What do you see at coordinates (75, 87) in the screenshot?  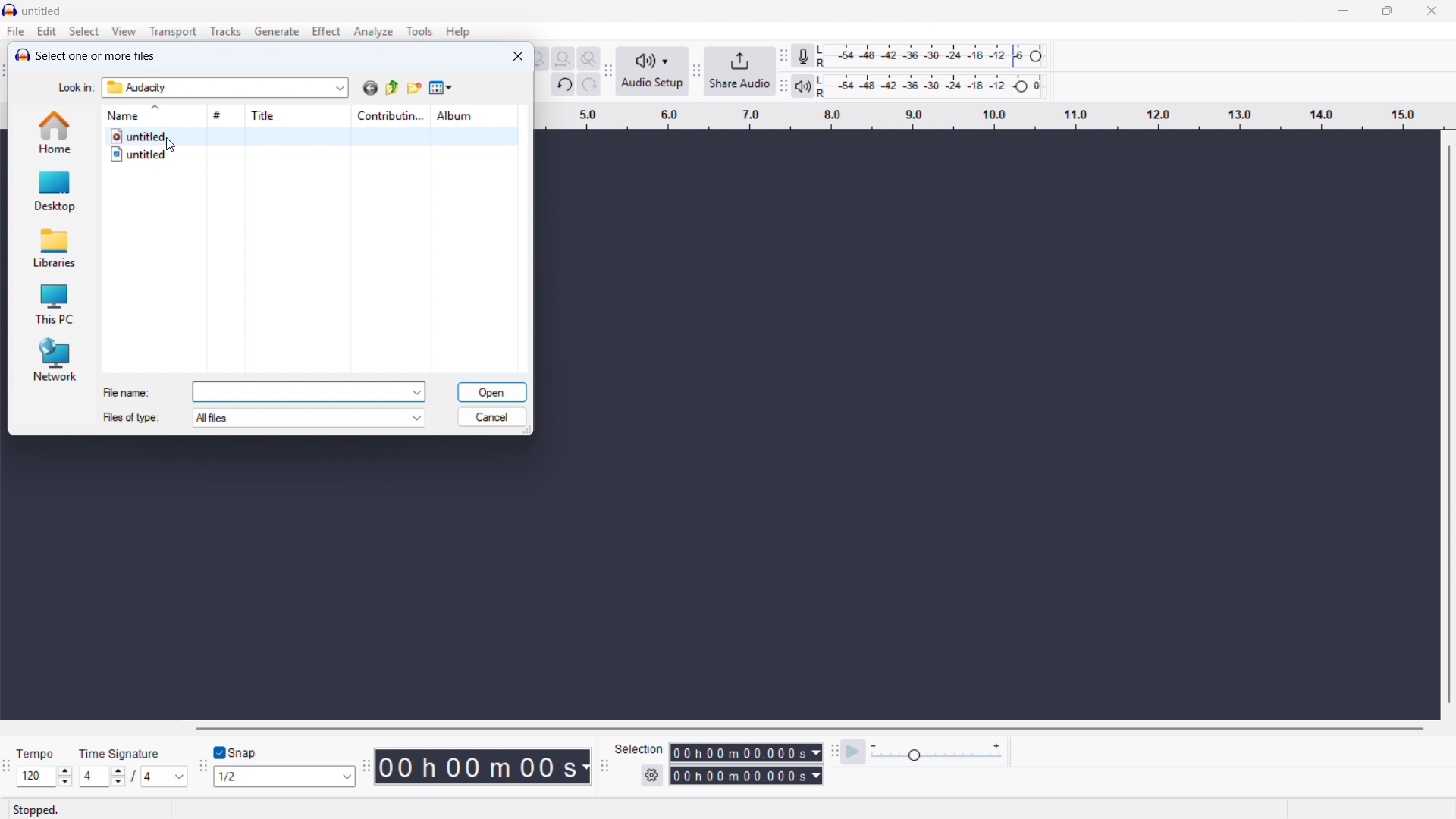 I see `look in` at bounding box center [75, 87].